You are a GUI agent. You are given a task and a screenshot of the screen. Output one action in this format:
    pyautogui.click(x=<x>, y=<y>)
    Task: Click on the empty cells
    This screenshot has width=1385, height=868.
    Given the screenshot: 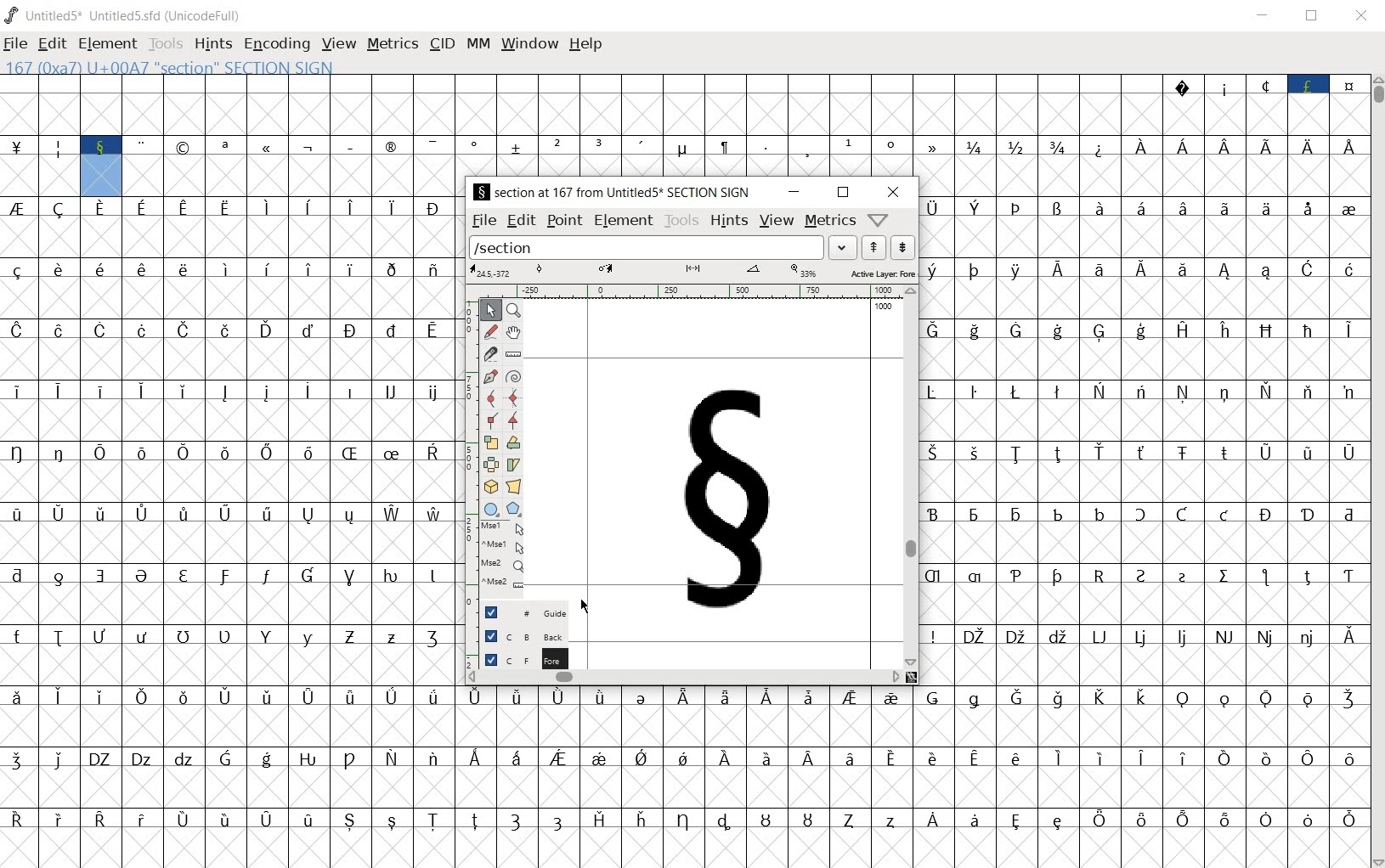 What is the action you would take?
    pyautogui.click(x=1144, y=603)
    